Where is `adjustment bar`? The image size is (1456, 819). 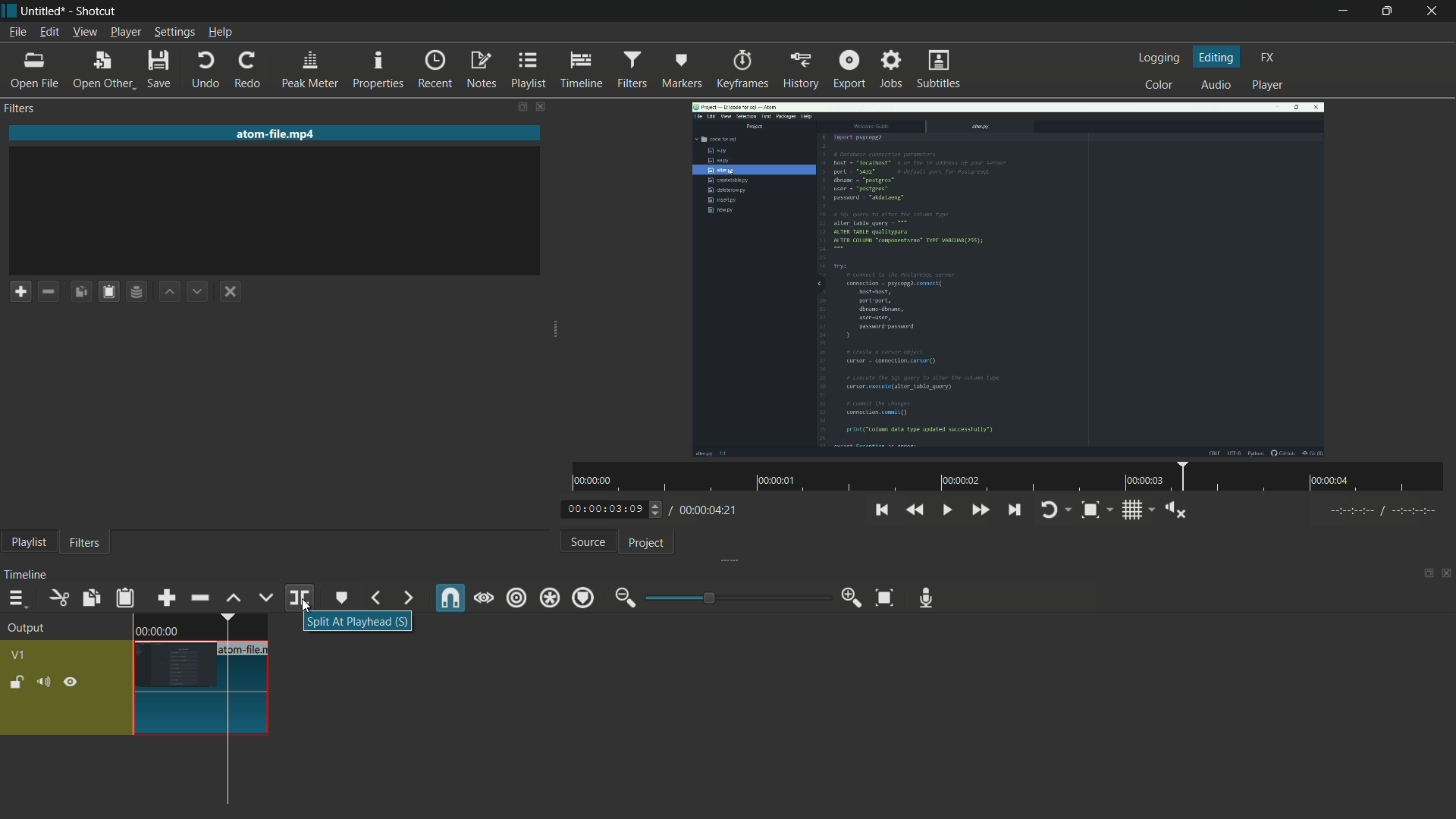
adjustment bar is located at coordinates (736, 598).